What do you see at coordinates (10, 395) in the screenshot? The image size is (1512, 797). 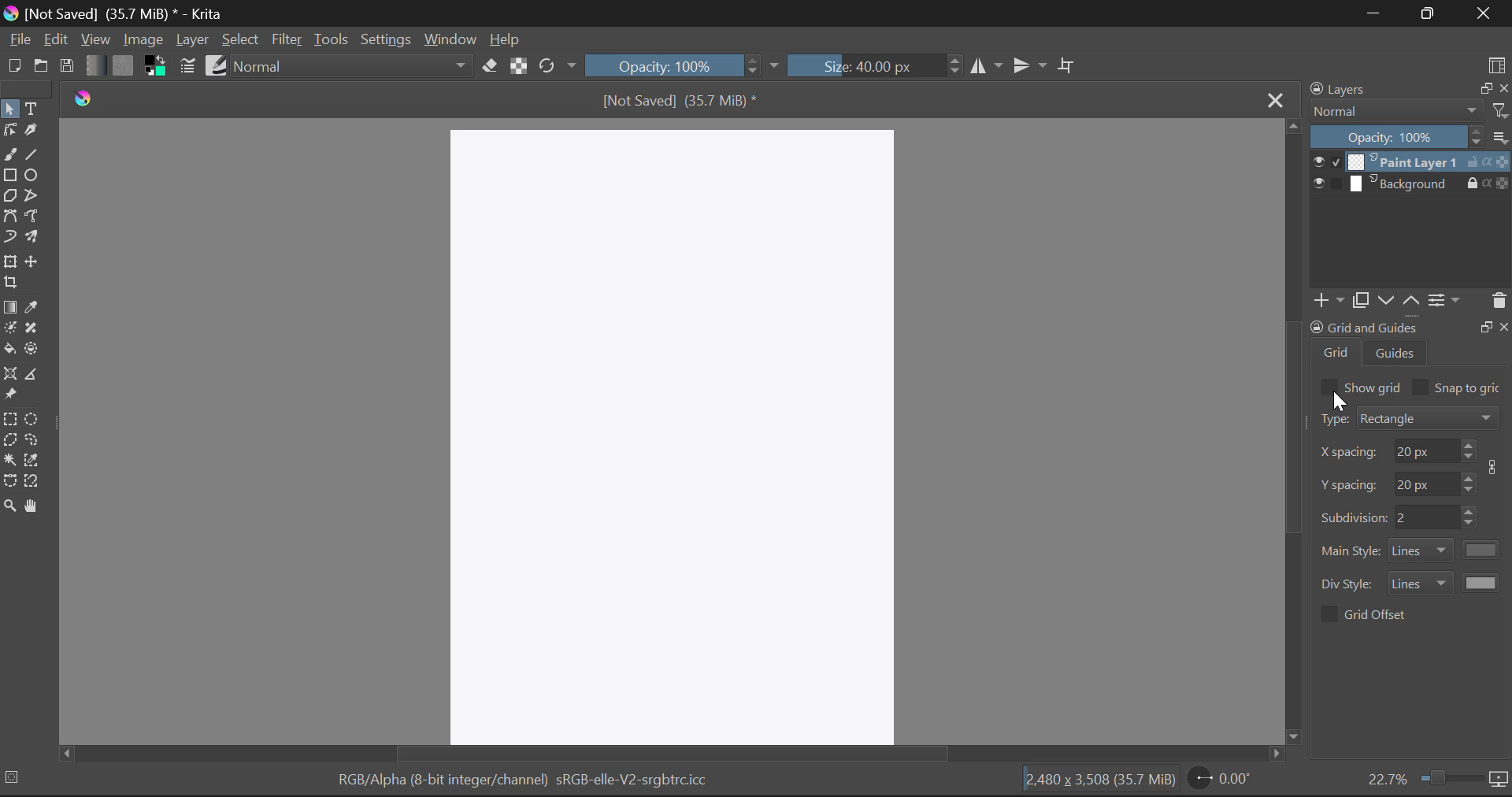 I see `Reference Image` at bounding box center [10, 395].